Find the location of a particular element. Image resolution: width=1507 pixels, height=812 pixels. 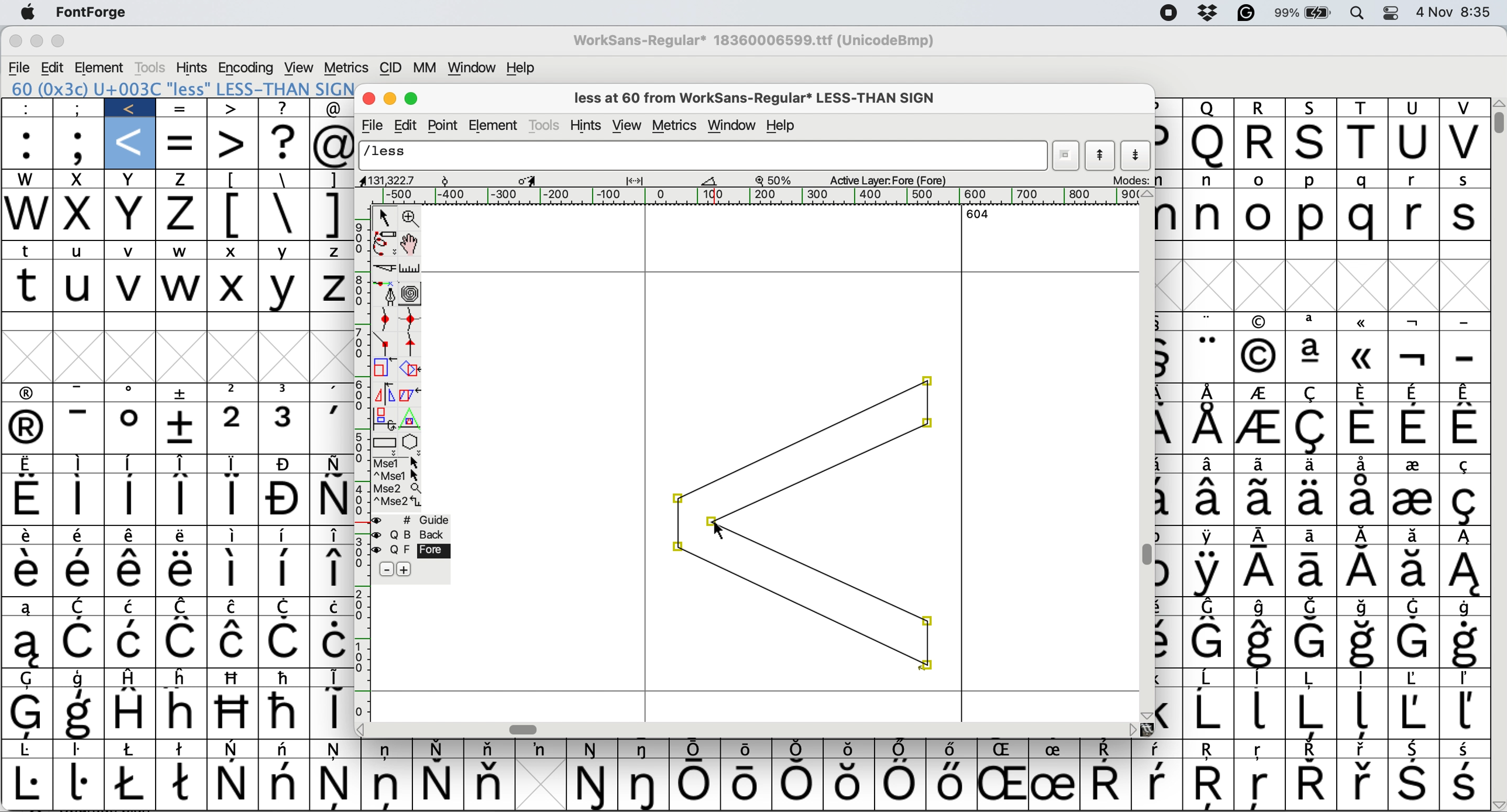

3 is located at coordinates (285, 390).